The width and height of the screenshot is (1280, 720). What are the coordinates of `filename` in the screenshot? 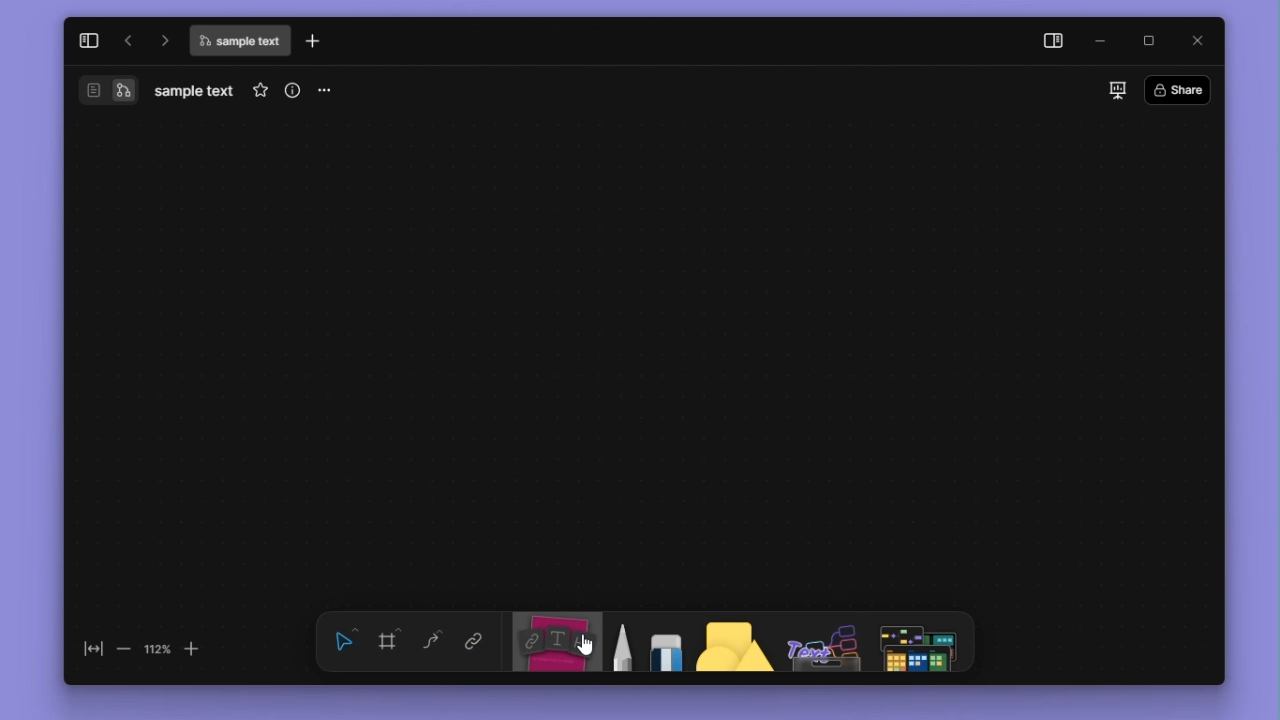 It's located at (194, 92).